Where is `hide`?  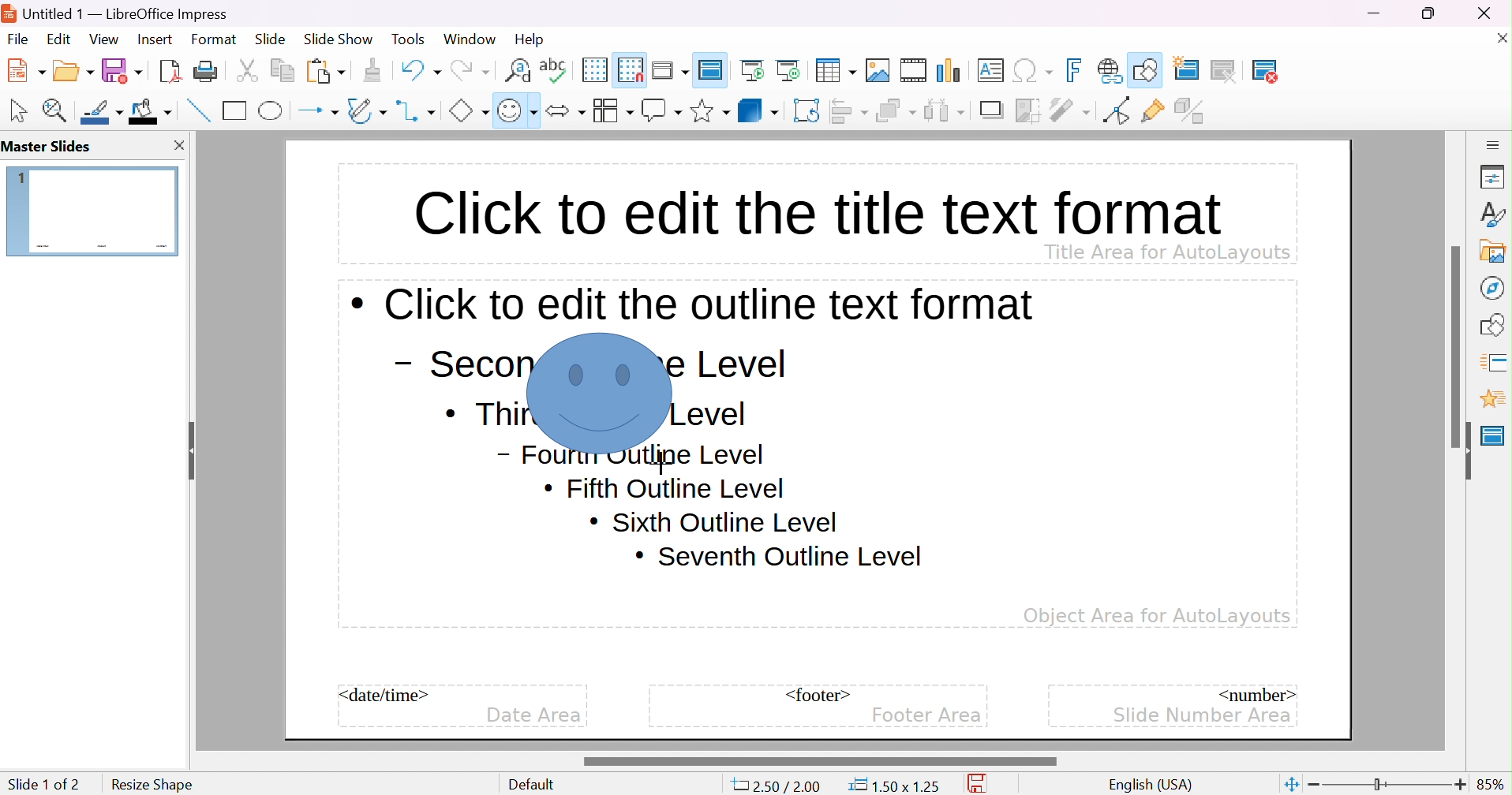
hide is located at coordinates (1463, 451).